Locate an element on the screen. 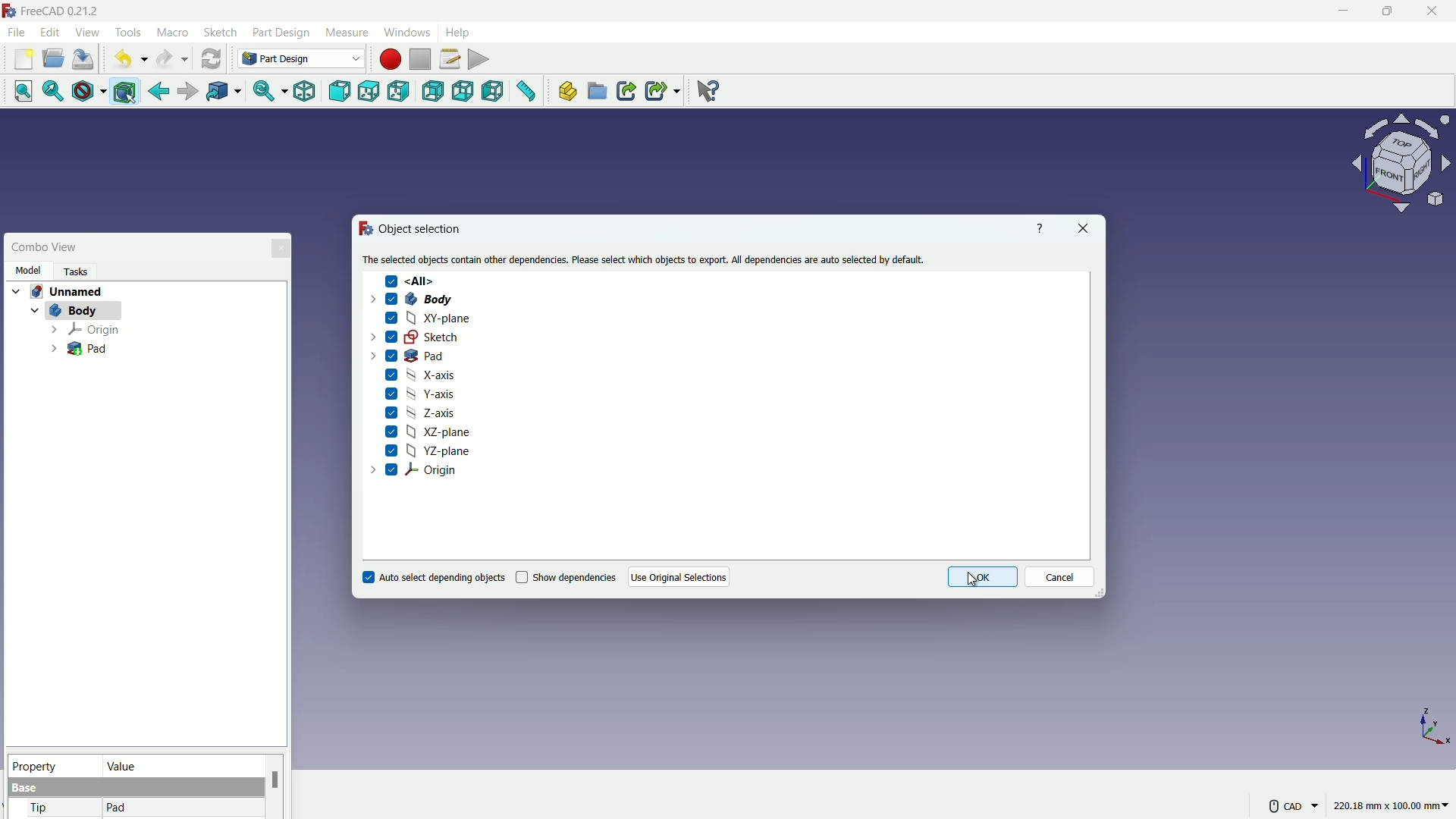  right view is located at coordinates (400, 94).